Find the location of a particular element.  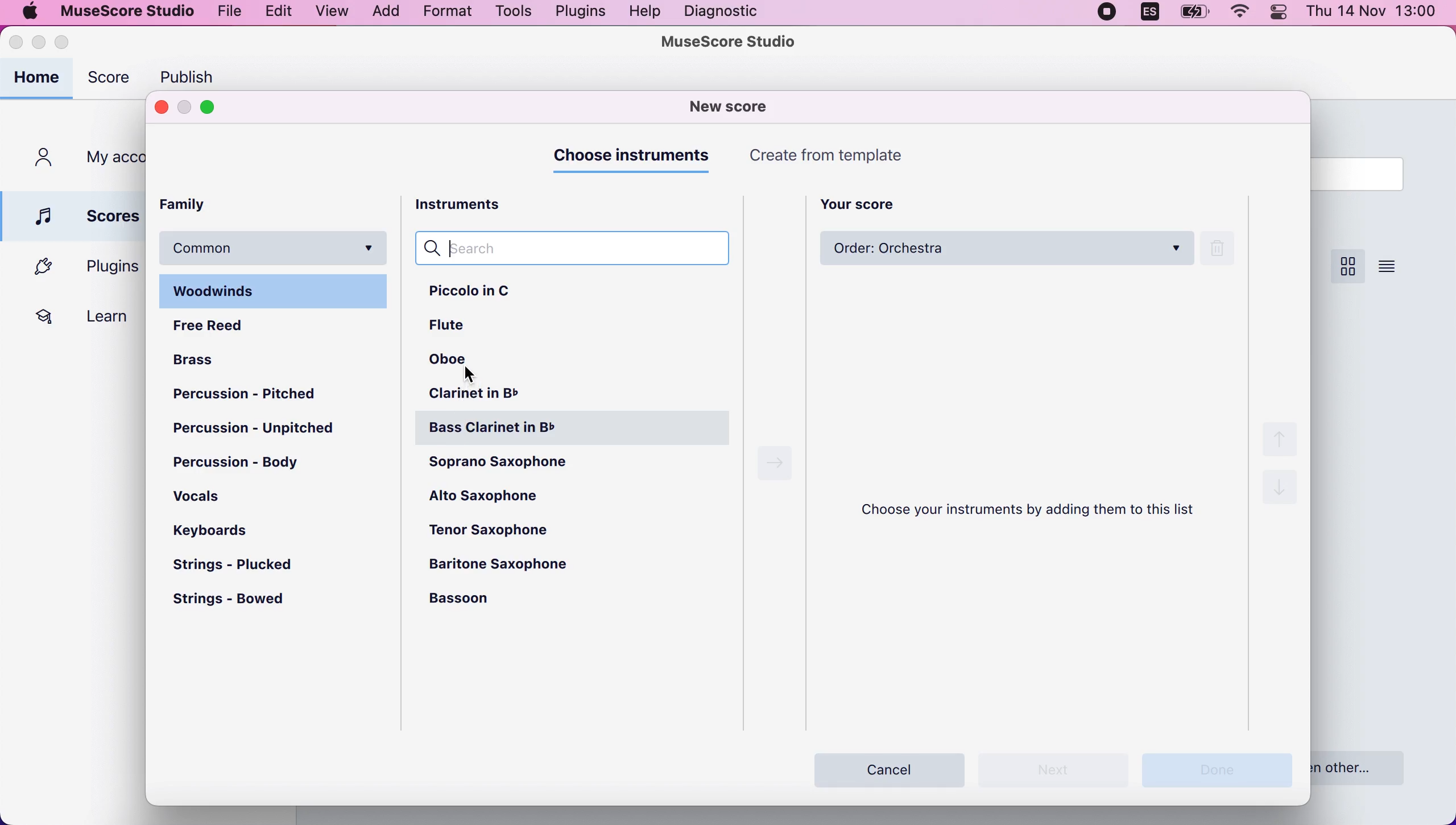

oboe is located at coordinates (457, 363).